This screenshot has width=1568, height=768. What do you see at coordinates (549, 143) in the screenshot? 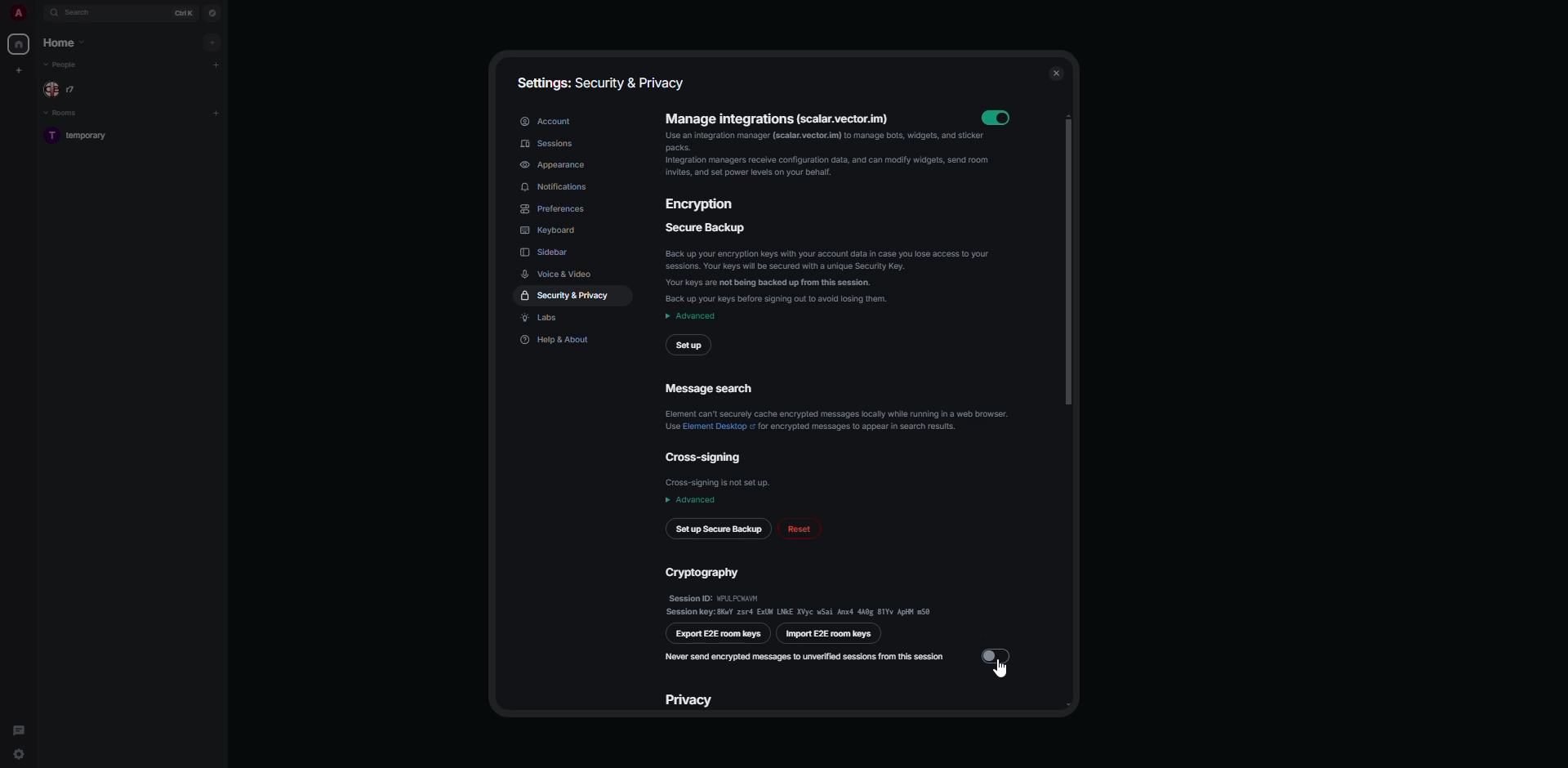
I see `sessions` at bounding box center [549, 143].